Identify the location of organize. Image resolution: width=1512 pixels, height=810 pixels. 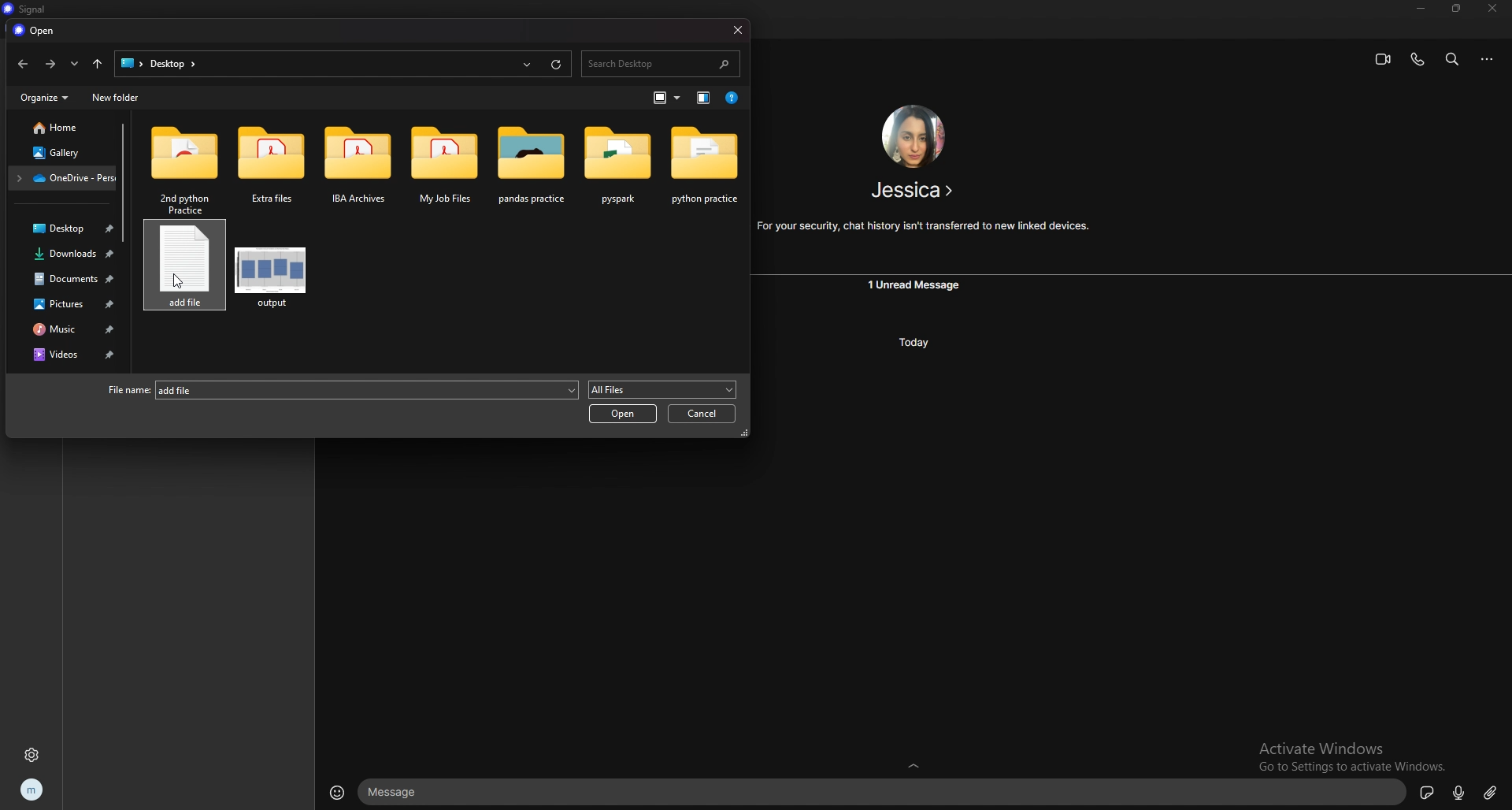
(43, 96).